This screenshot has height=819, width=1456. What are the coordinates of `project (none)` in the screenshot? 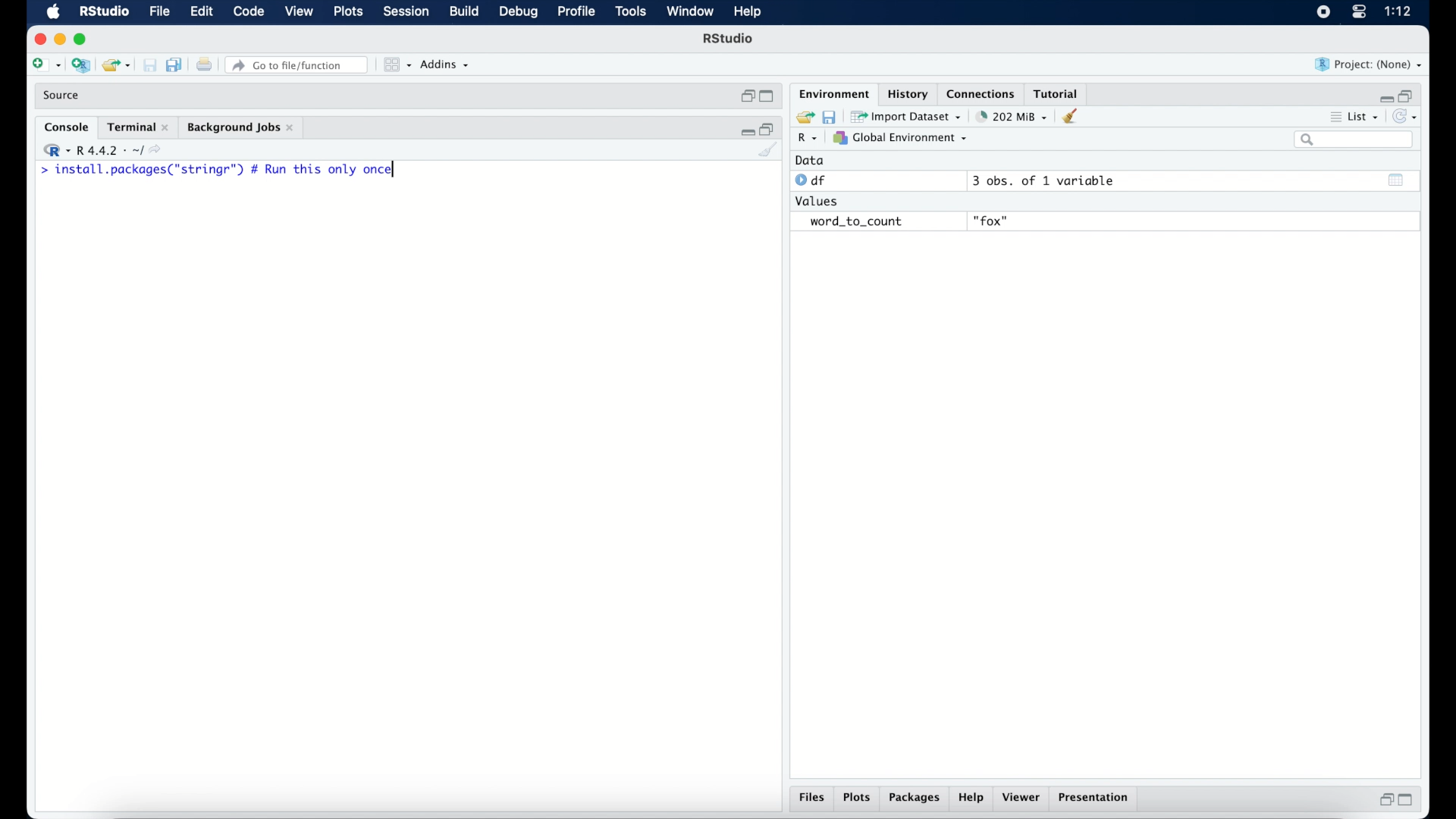 It's located at (1369, 64).